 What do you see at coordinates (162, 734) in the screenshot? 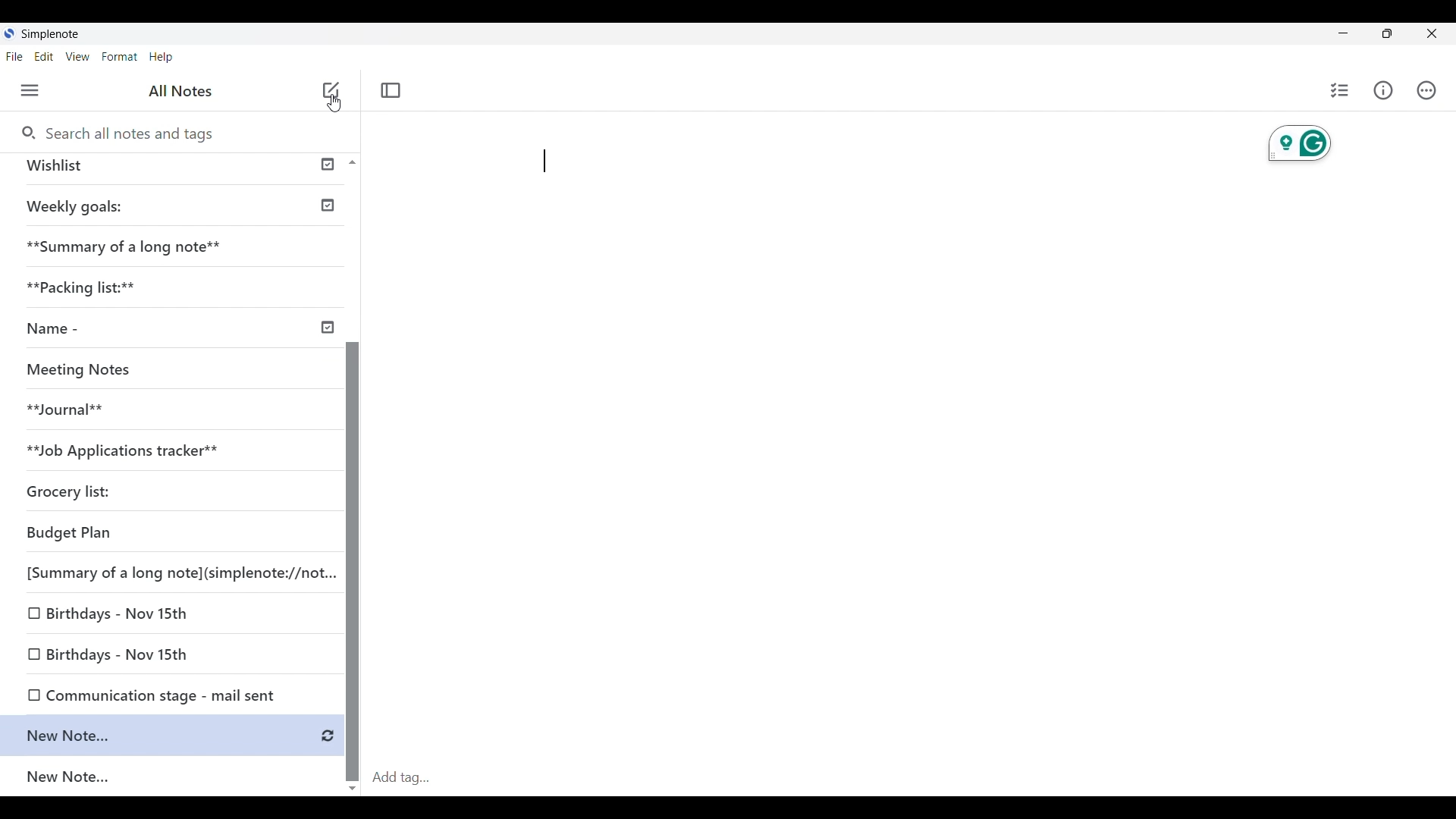
I see `New note created` at bounding box center [162, 734].